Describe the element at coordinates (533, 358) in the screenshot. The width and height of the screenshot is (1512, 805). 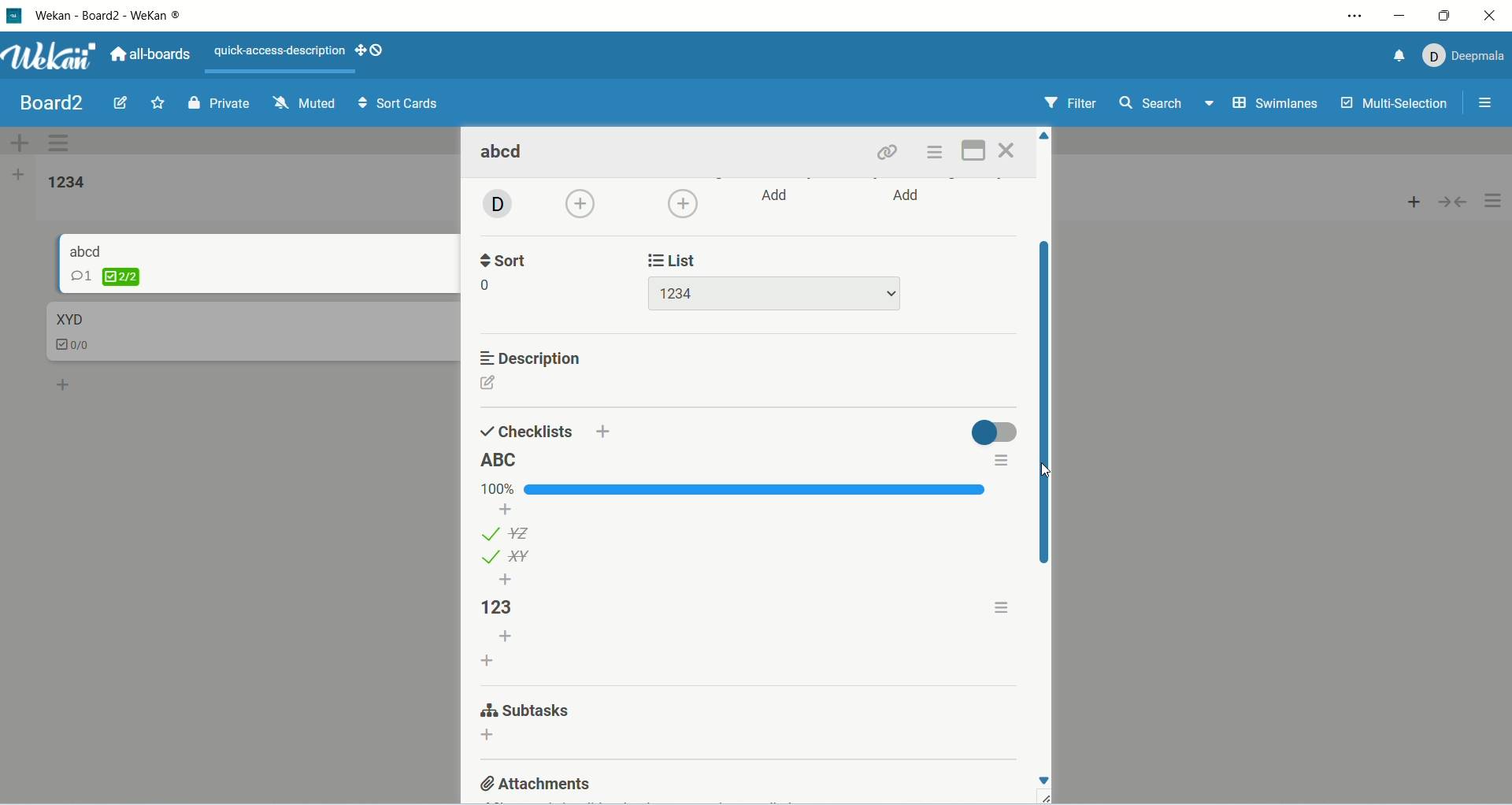
I see `description` at that location.